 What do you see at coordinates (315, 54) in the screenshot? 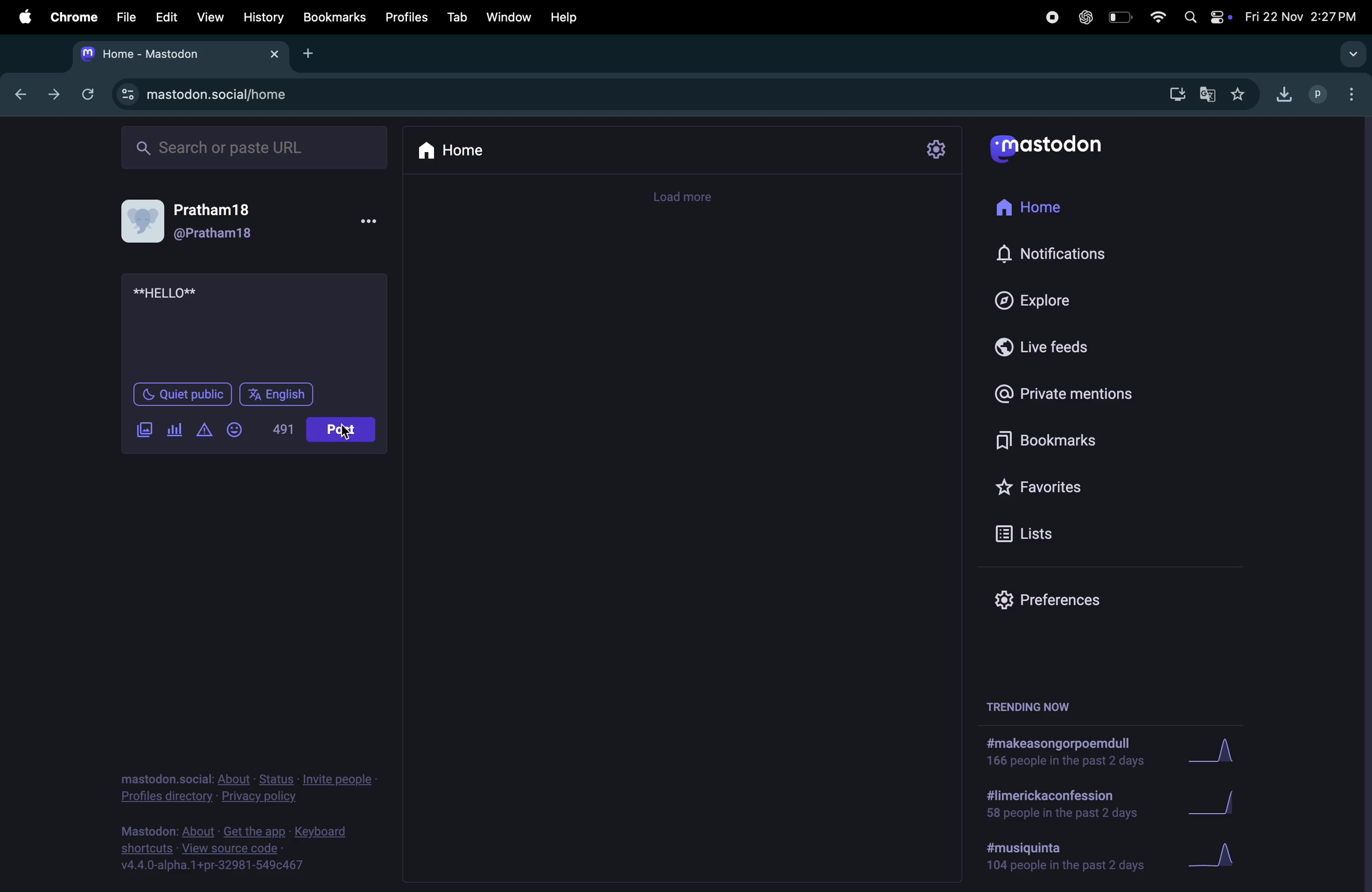
I see `add` at bounding box center [315, 54].